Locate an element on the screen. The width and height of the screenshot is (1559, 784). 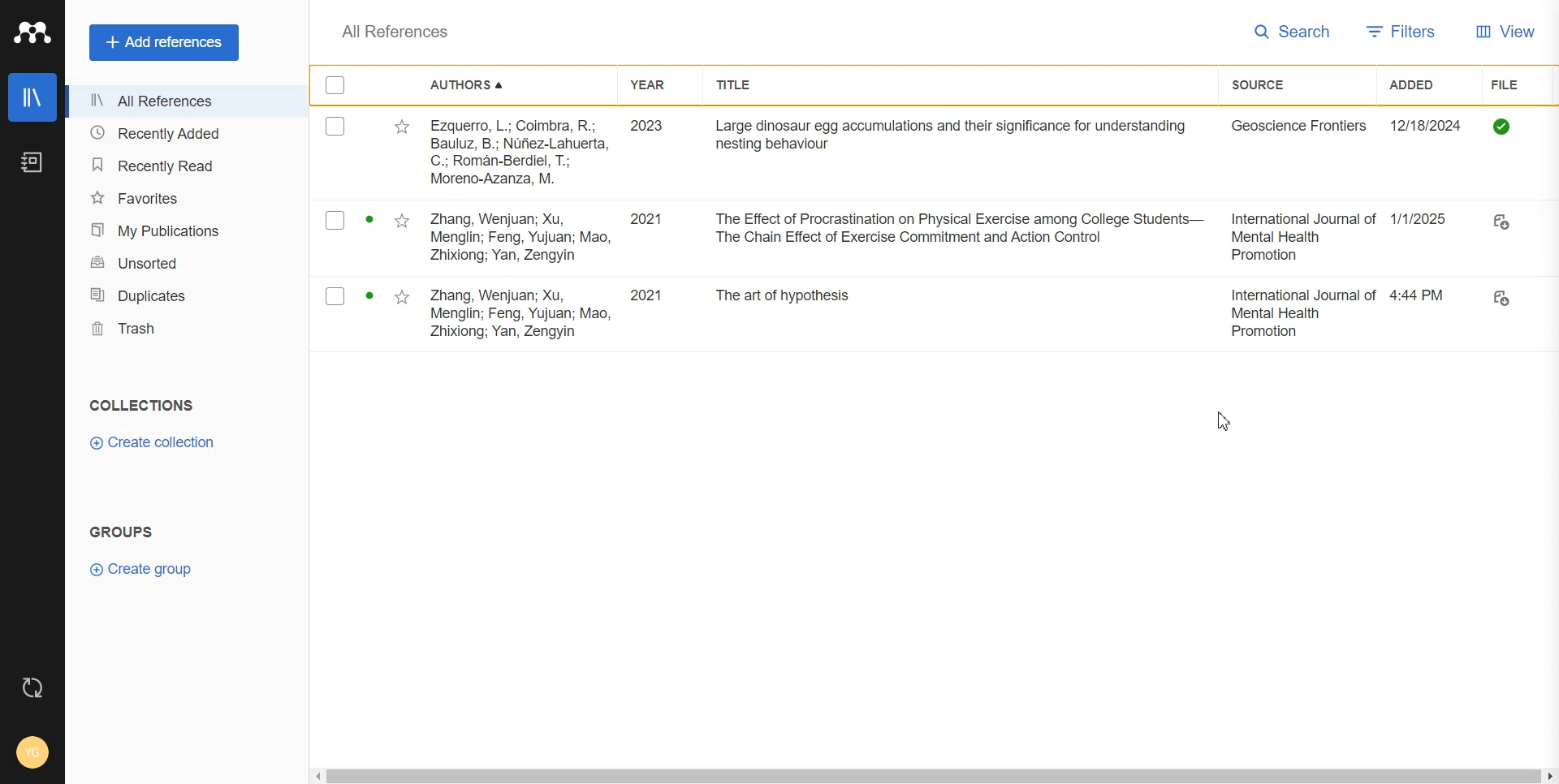
2021 is located at coordinates (647, 296).